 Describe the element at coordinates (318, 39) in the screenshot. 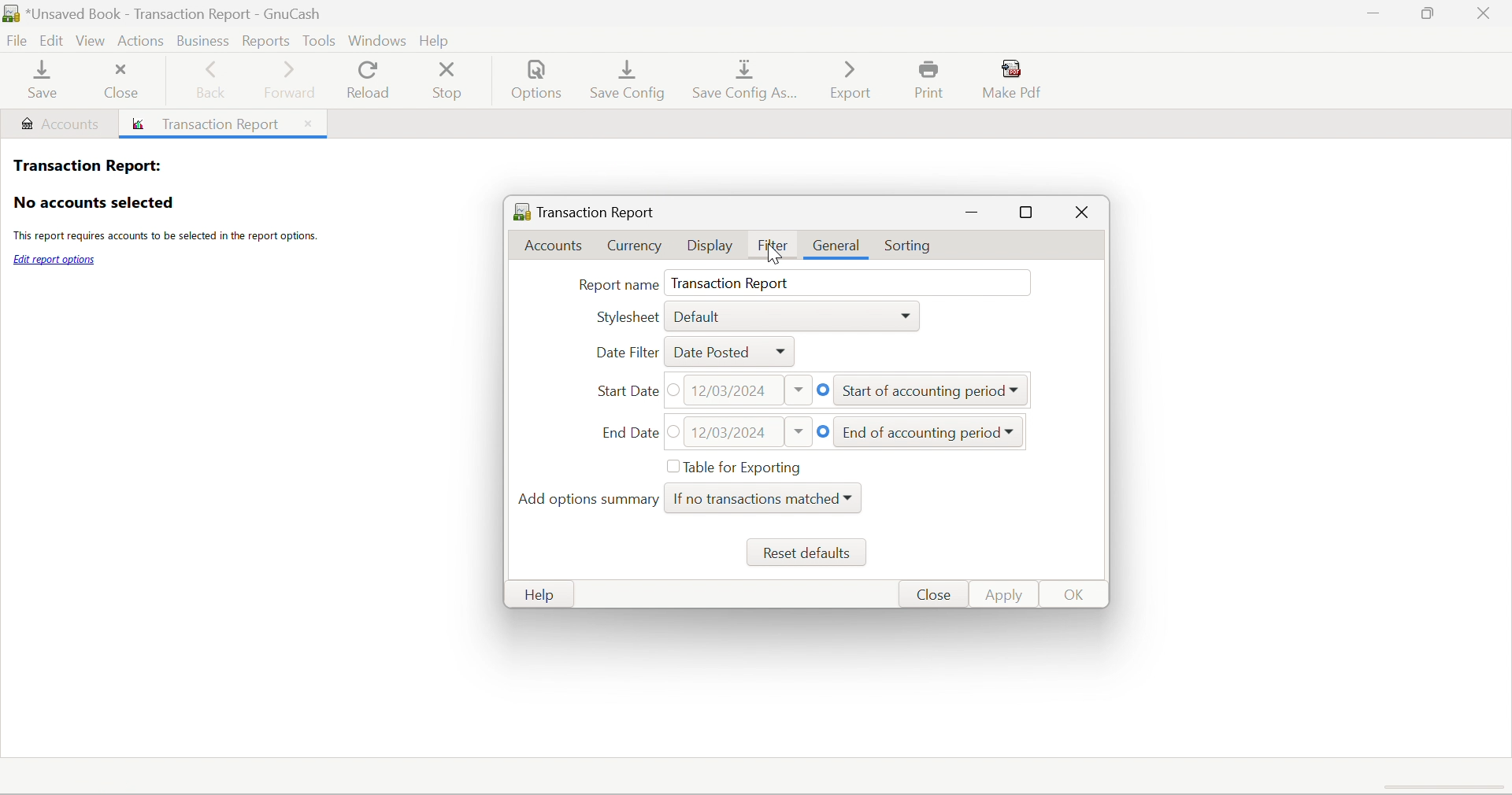

I see `Tools` at that location.